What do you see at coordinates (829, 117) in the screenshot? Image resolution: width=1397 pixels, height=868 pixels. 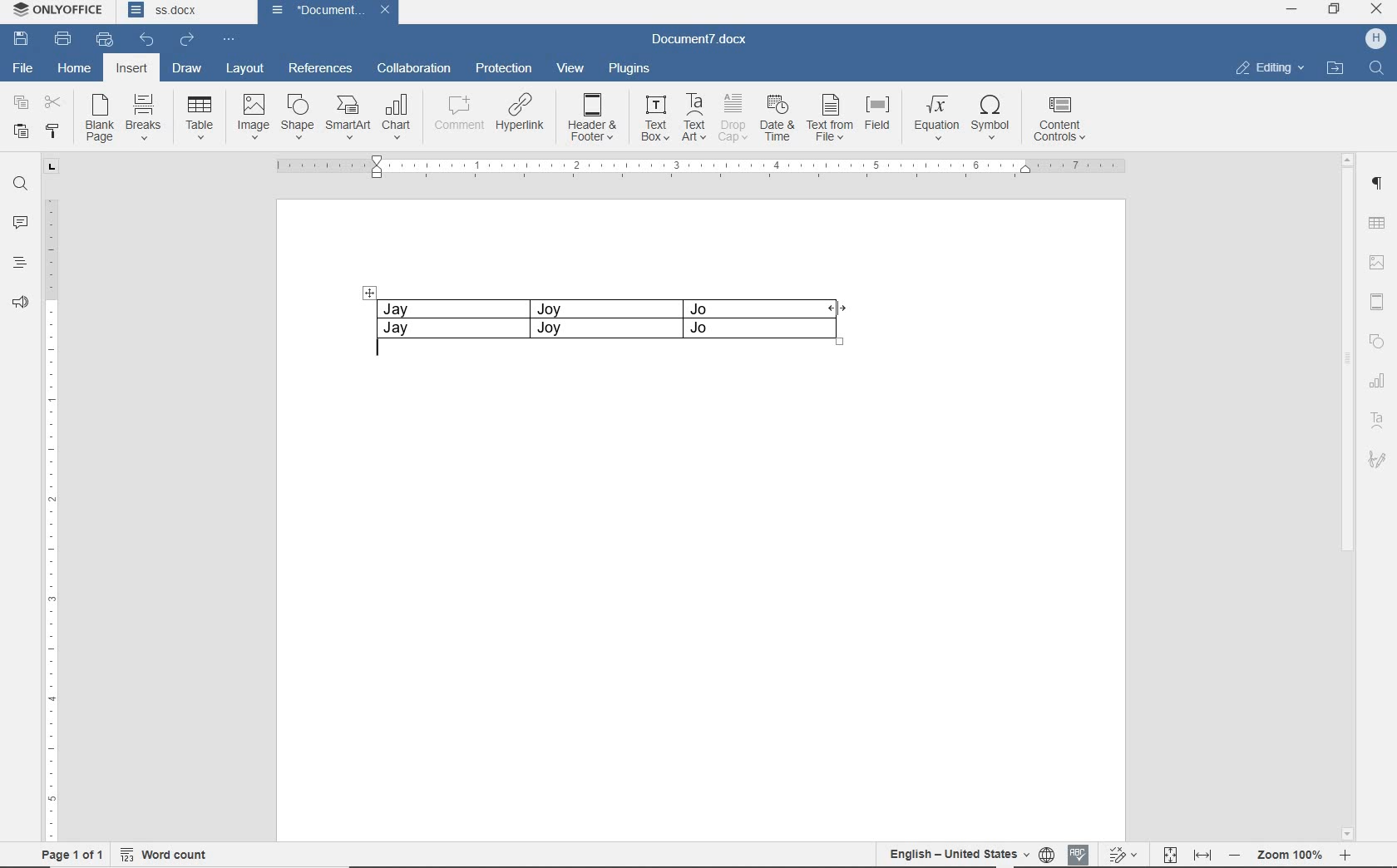 I see `TEXT FROMFILE` at bounding box center [829, 117].